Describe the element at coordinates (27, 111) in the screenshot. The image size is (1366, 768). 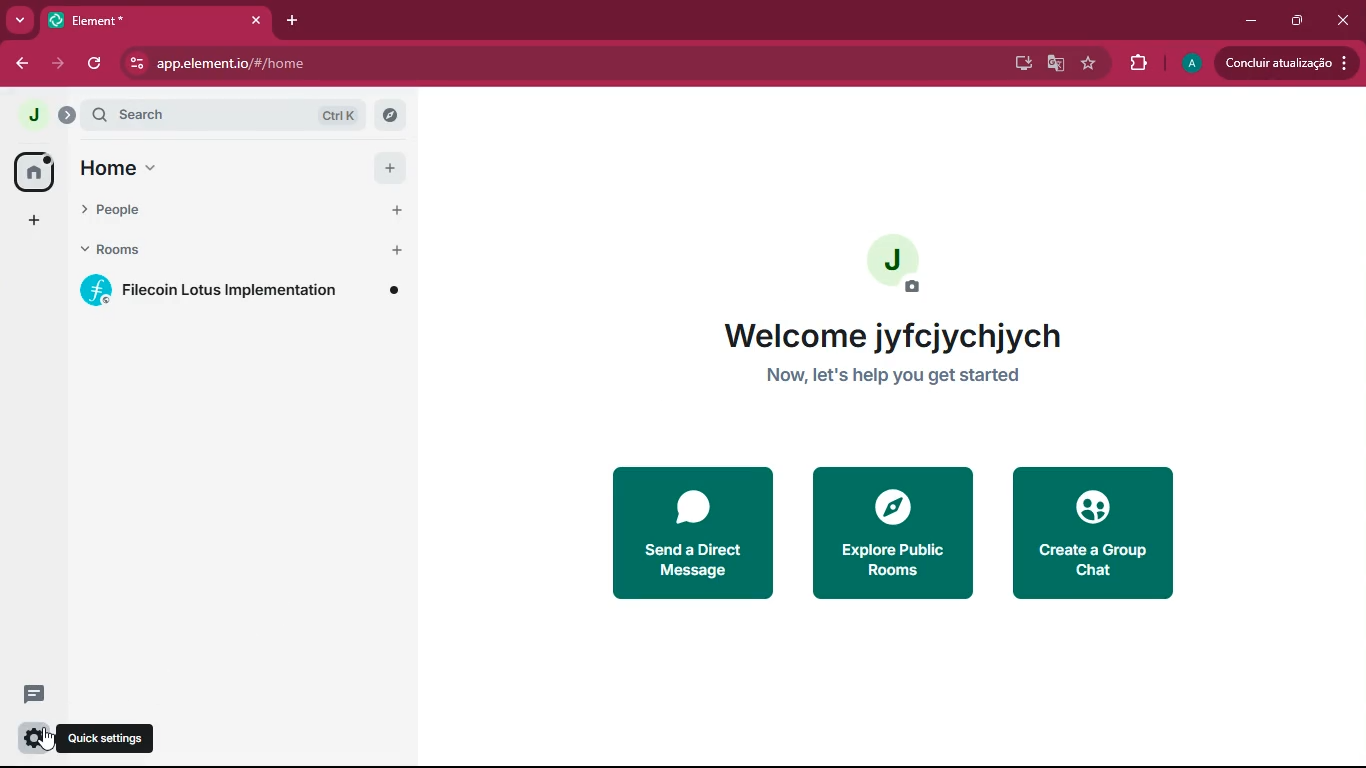
I see `profile picture` at that location.